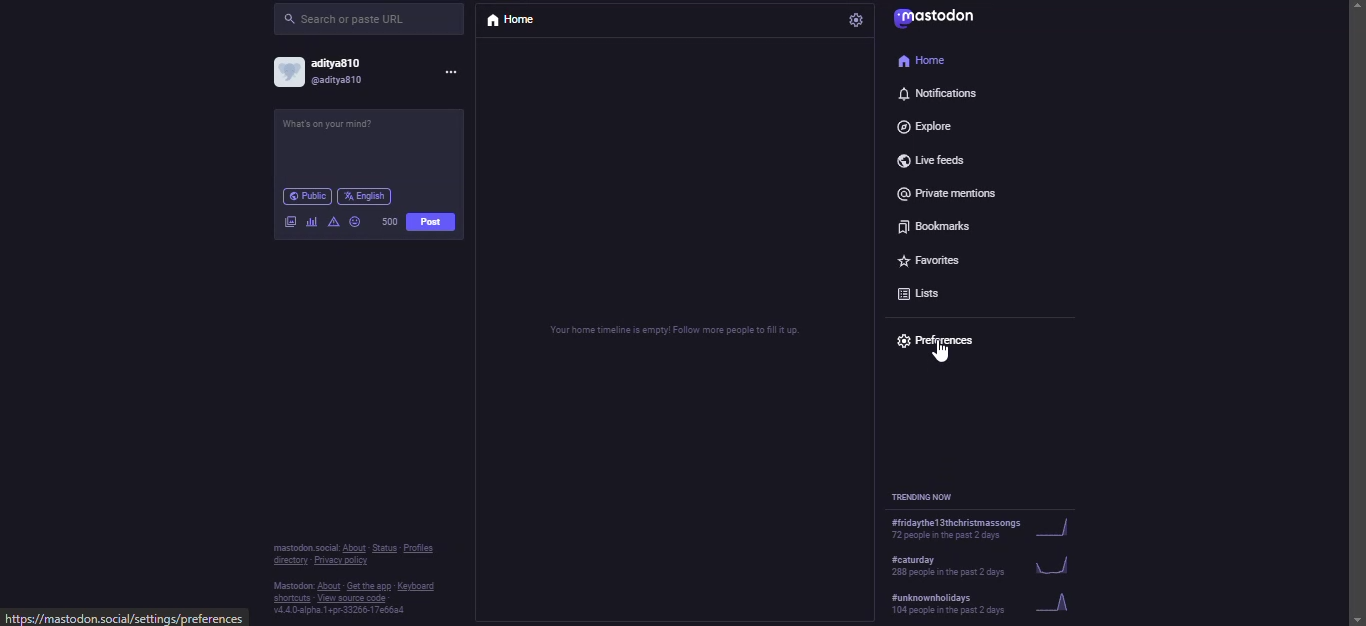 The height and width of the screenshot is (626, 1366). What do you see at coordinates (934, 17) in the screenshot?
I see `mastodon logo` at bounding box center [934, 17].